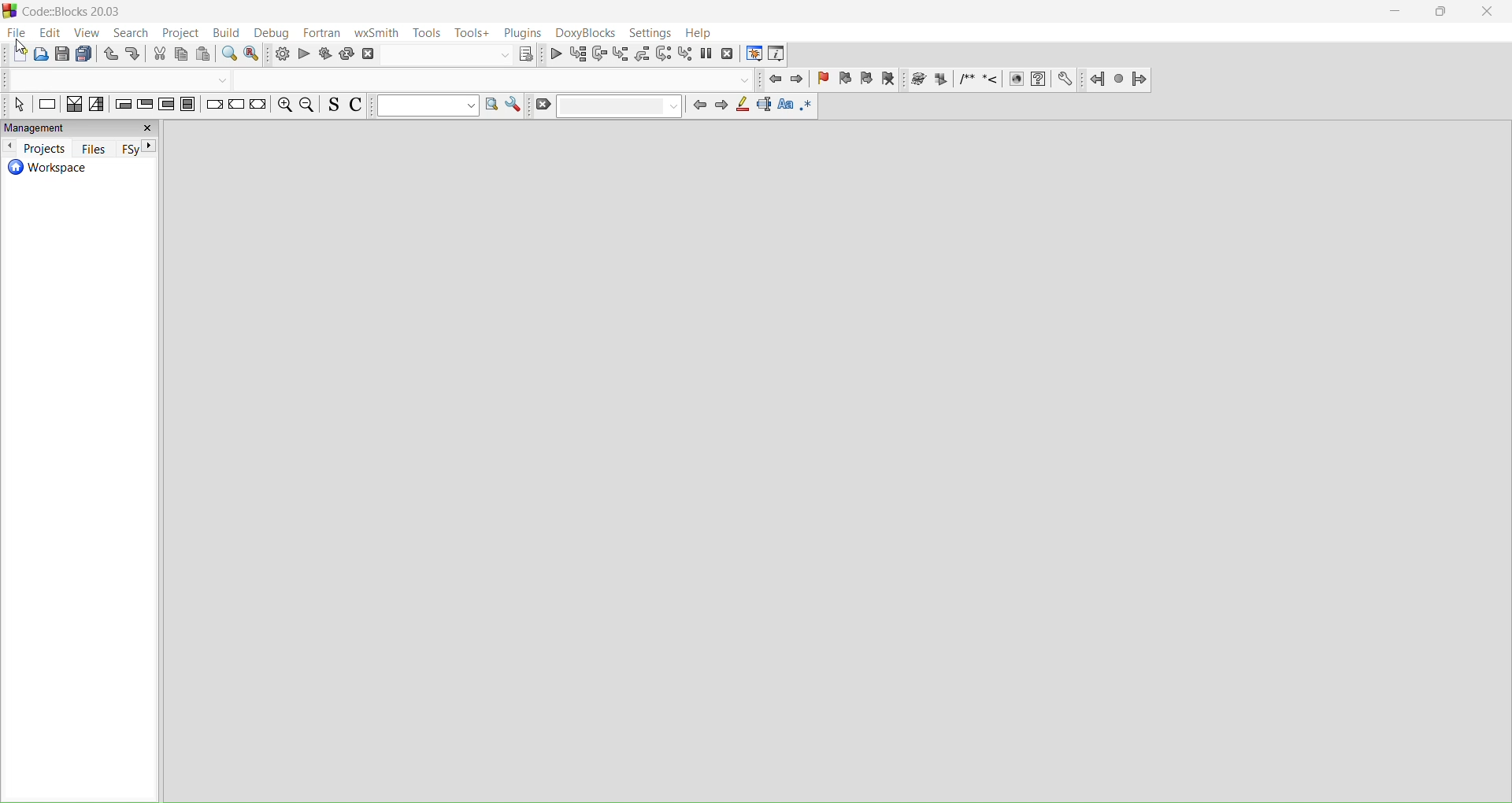  Describe the element at coordinates (376, 34) in the screenshot. I see `wxSmith` at that location.